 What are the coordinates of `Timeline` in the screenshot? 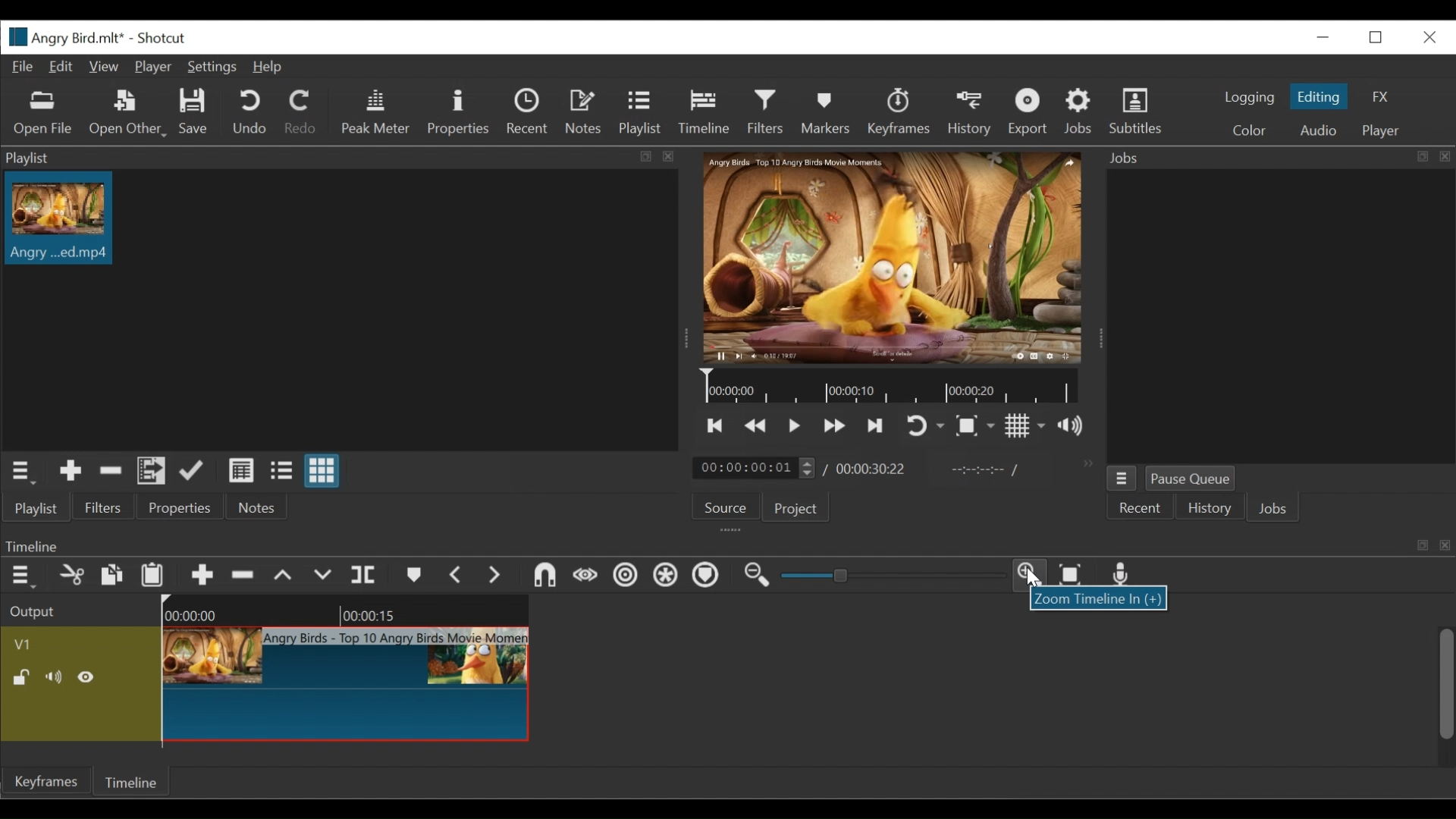 It's located at (347, 607).